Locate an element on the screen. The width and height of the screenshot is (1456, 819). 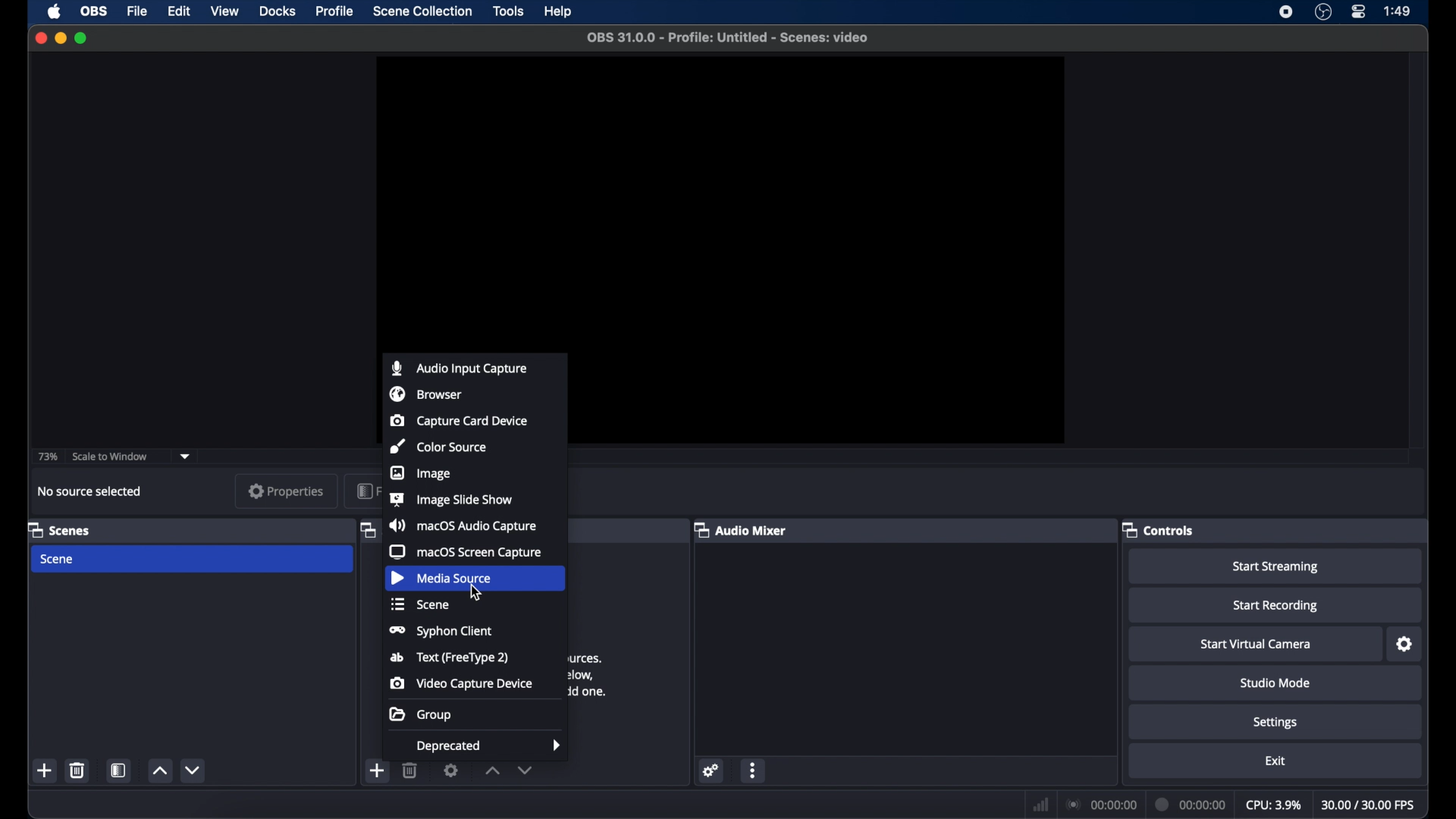
media source is located at coordinates (443, 578).